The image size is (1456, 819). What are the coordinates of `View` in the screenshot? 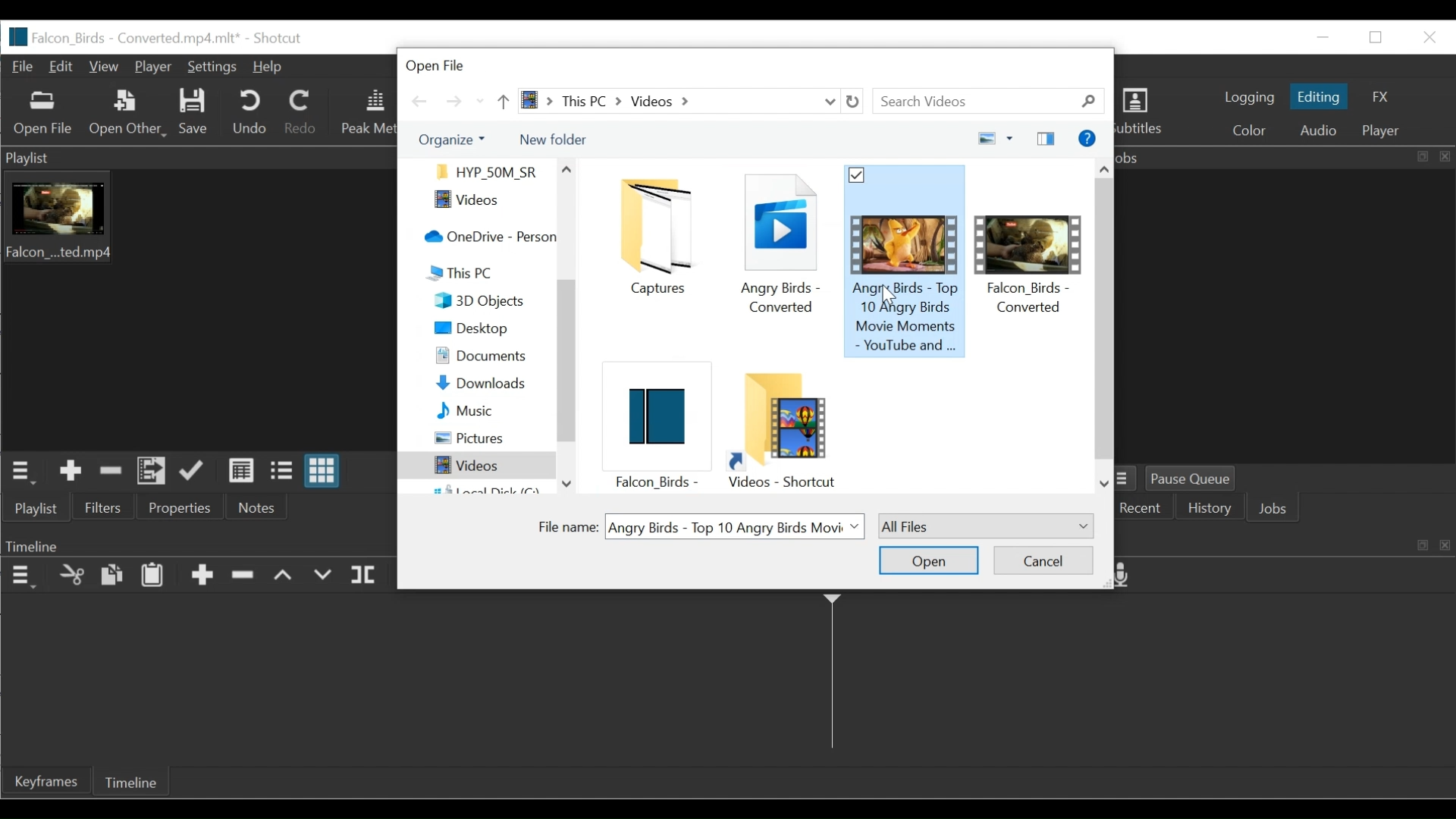 It's located at (106, 67).